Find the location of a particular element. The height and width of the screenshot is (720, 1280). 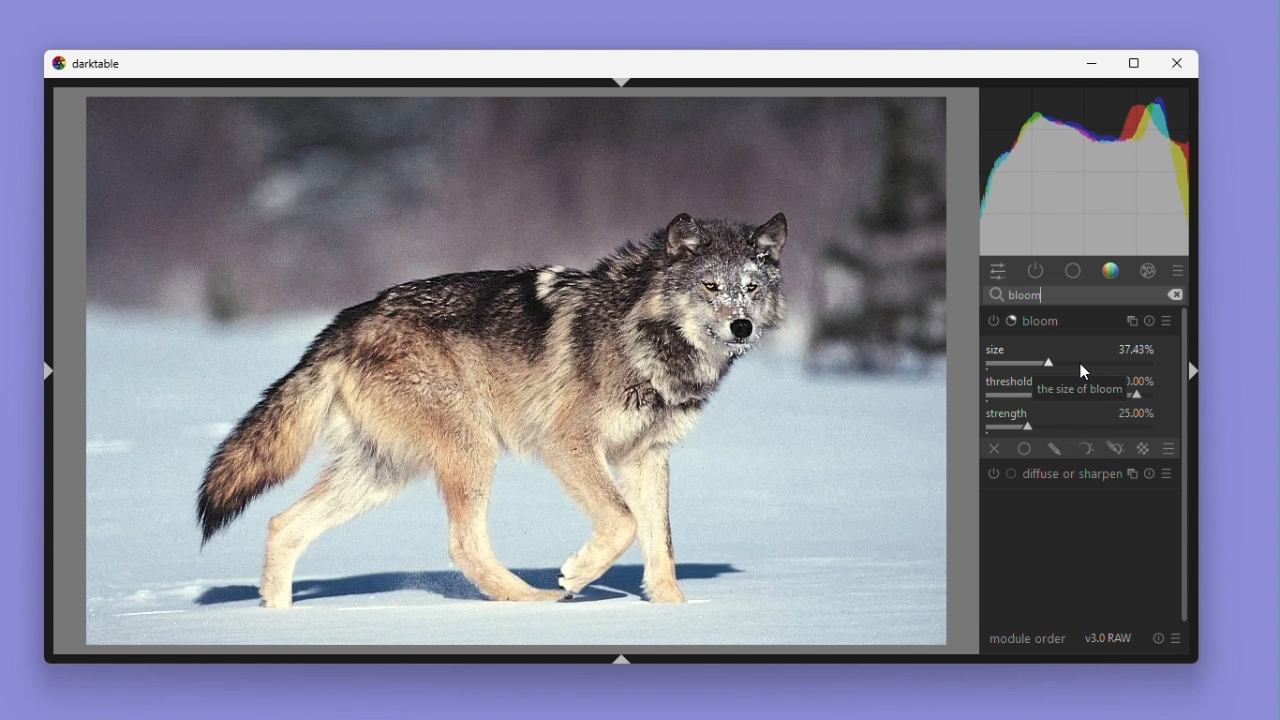

Search Bar is located at coordinates (1082, 295).